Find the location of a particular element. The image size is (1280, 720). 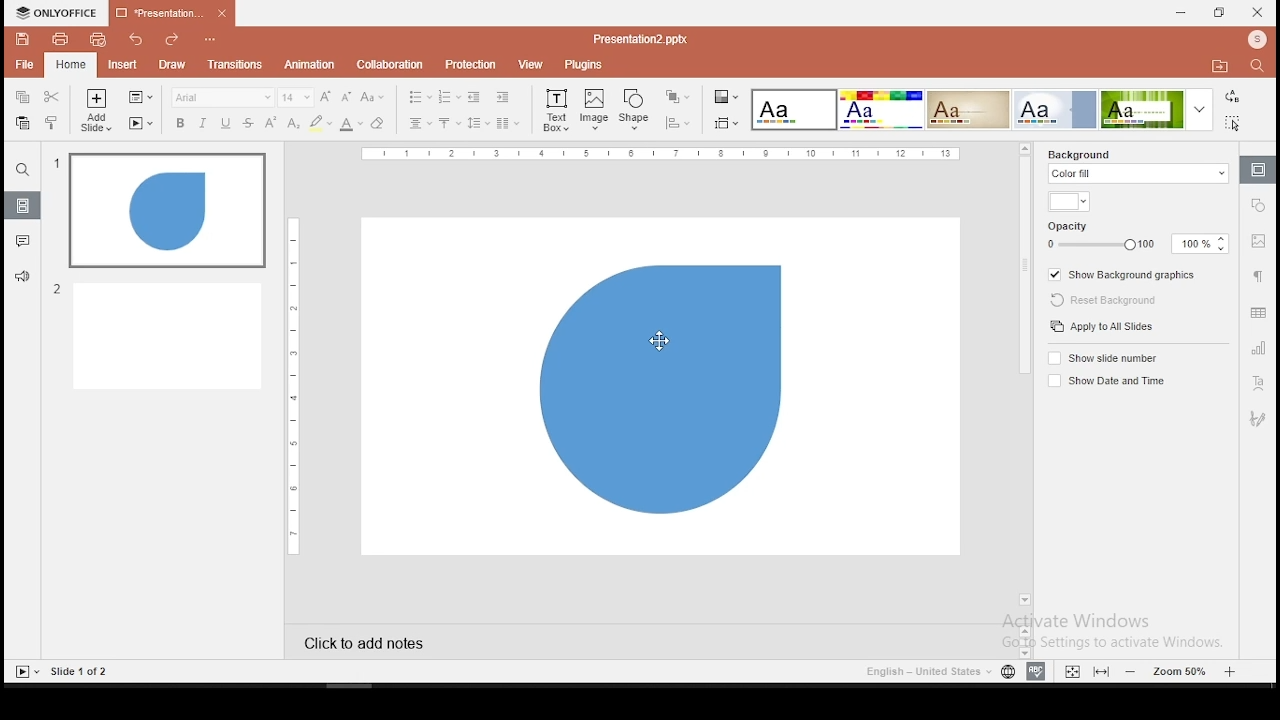

minimize is located at coordinates (1180, 12).